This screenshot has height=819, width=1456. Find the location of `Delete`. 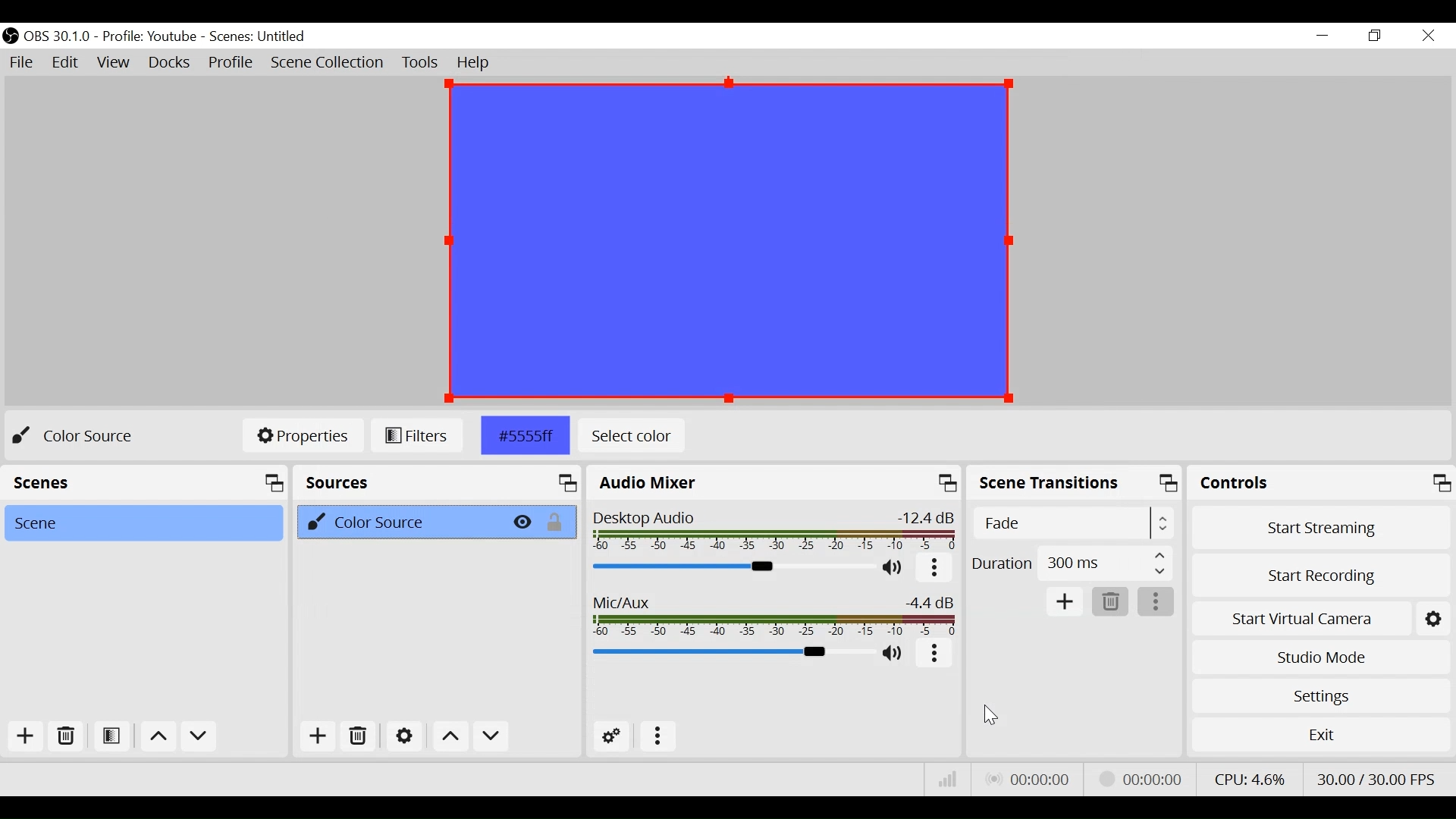

Delete is located at coordinates (1108, 602).